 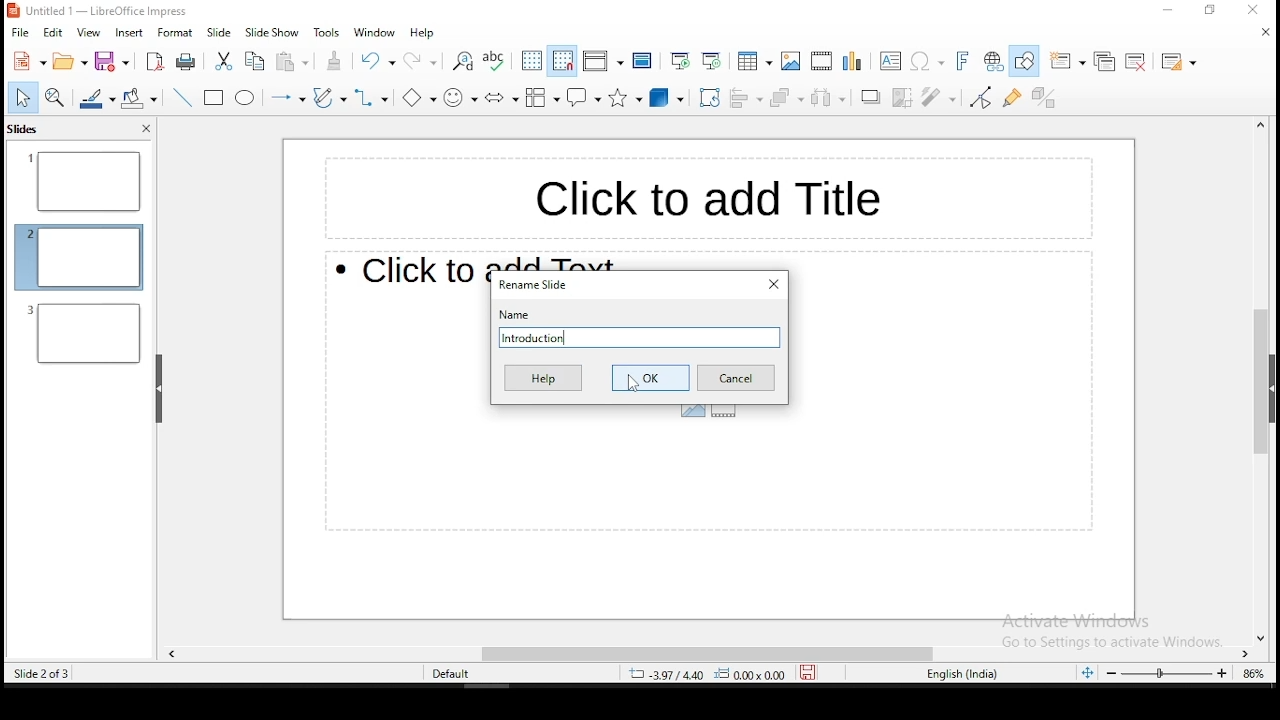 What do you see at coordinates (79, 255) in the screenshot?
I see `slide 2 (current slide)` at bounding box center [79, 255].